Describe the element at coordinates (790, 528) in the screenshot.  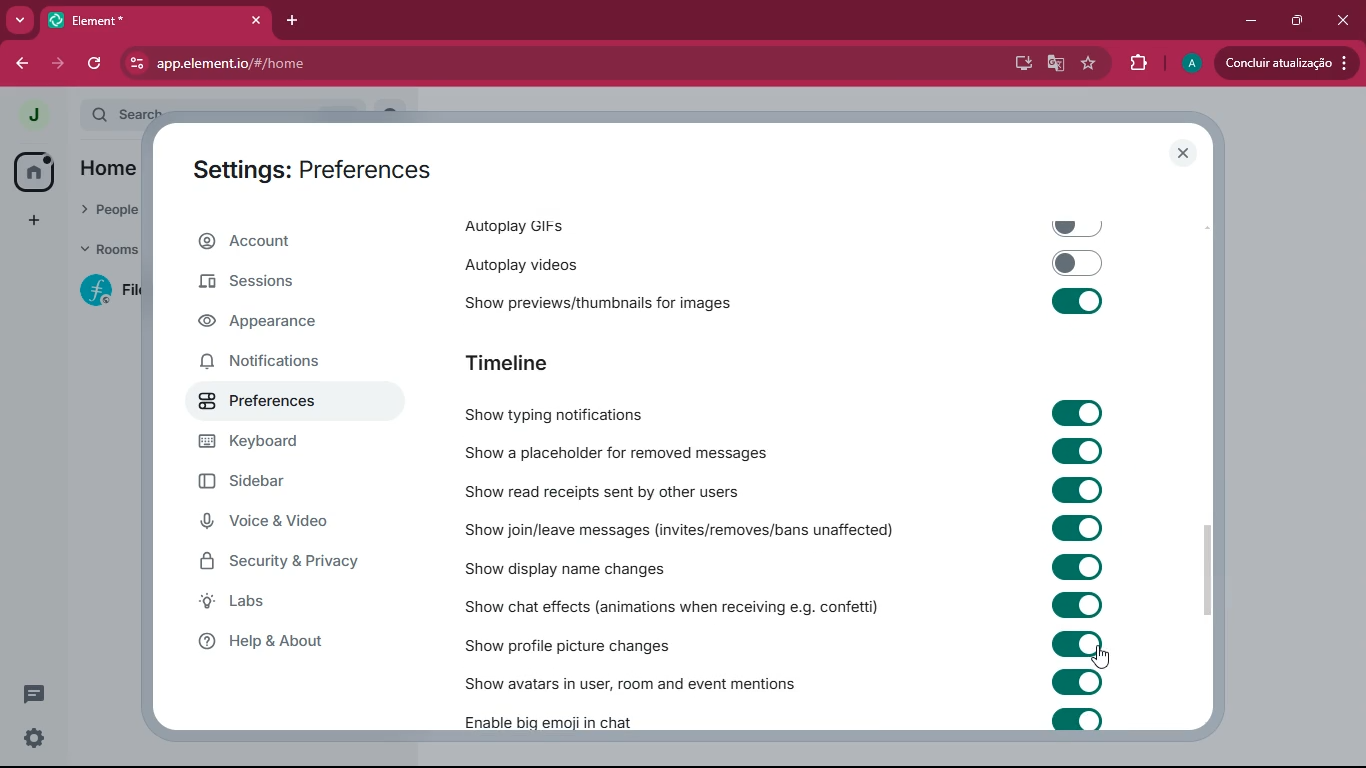
I see `Show join/leave messages (invites/removes/bans unaffected)` at that location.